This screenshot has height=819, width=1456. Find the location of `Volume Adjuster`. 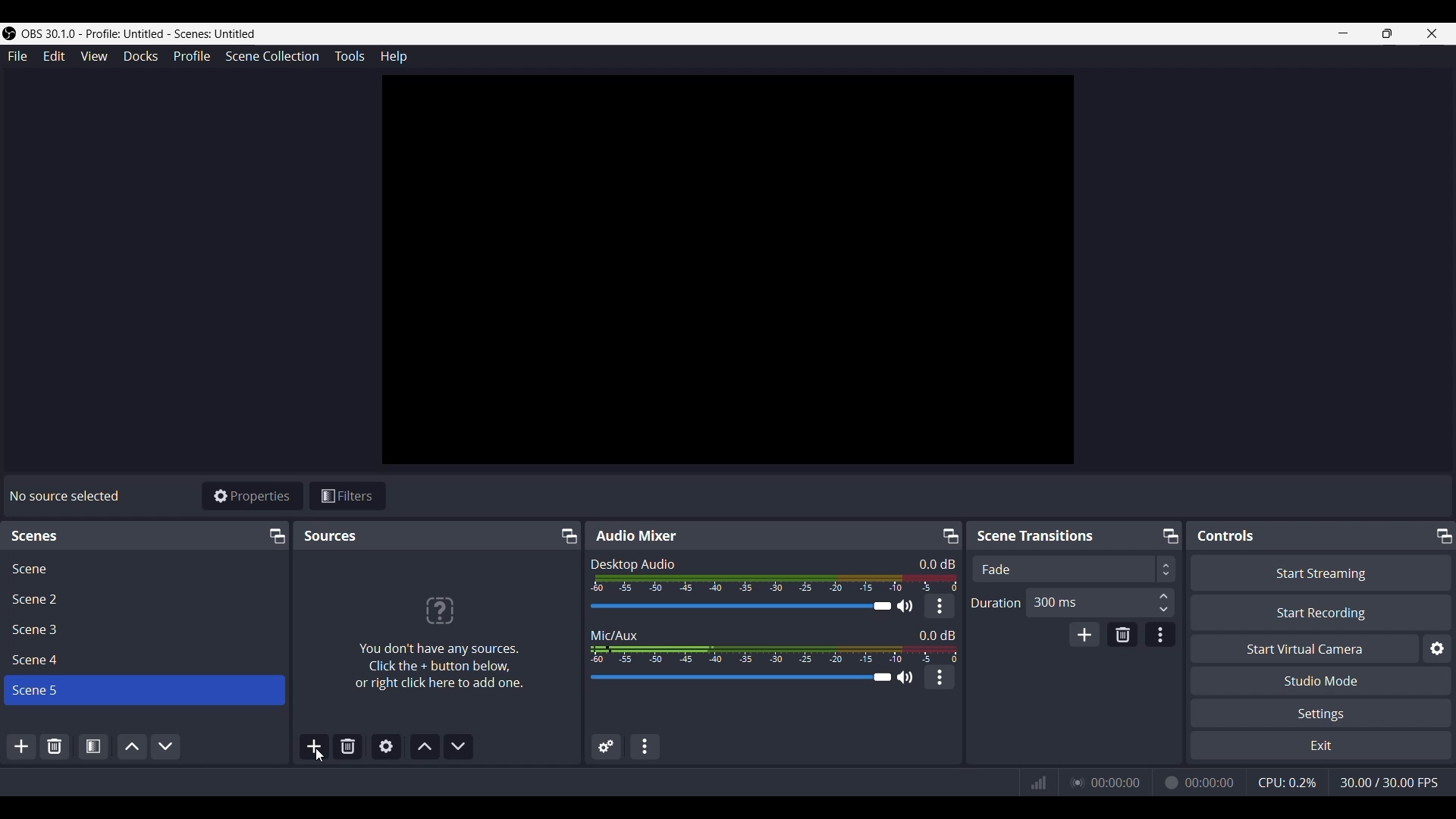

Volume Adjuster is located at coordinates (751, 605).